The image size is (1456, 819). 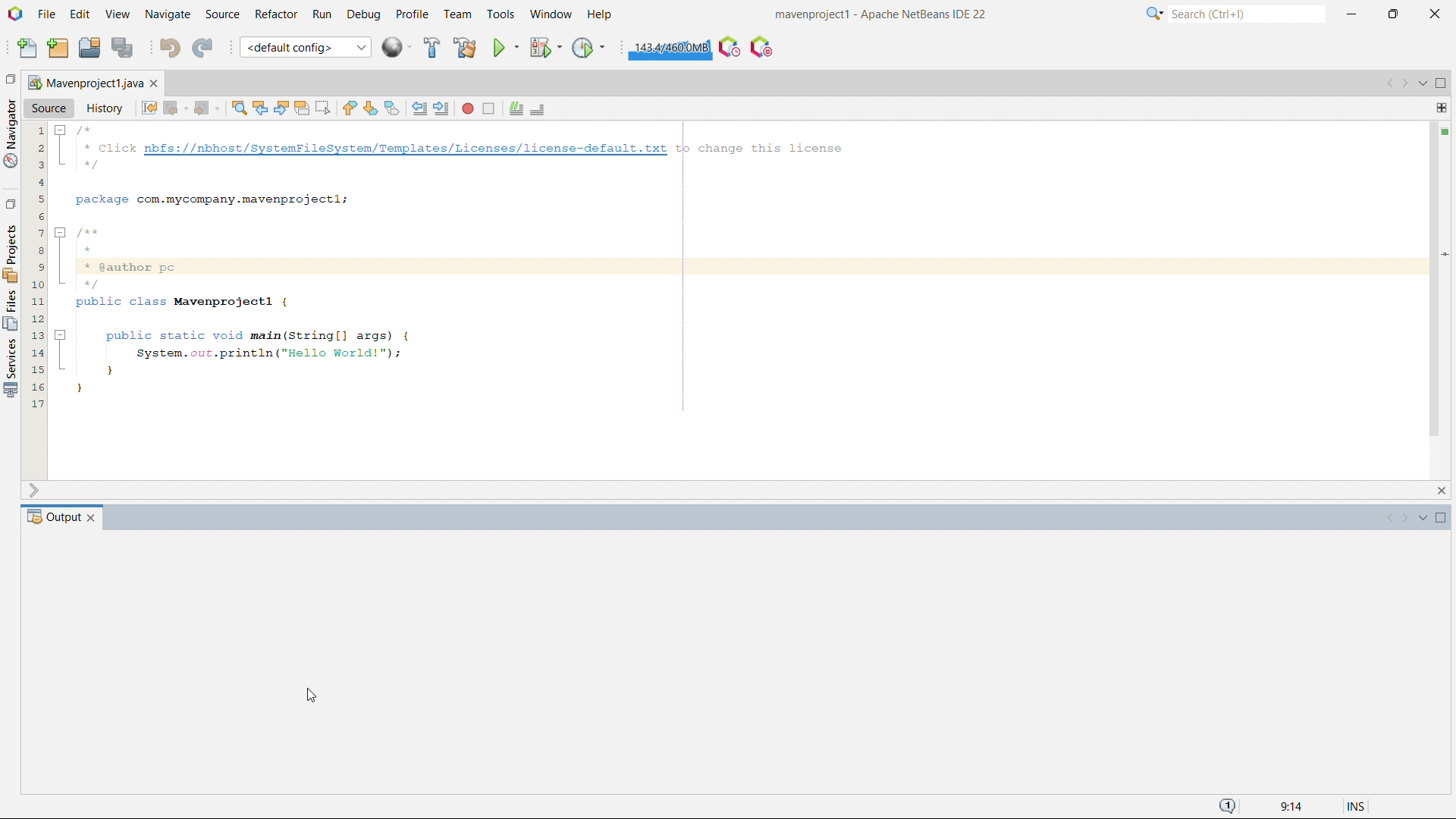 What do you see at coordinates (1440, 784) in the screenshot?
I see `close` at bounding box center [1440, 784].